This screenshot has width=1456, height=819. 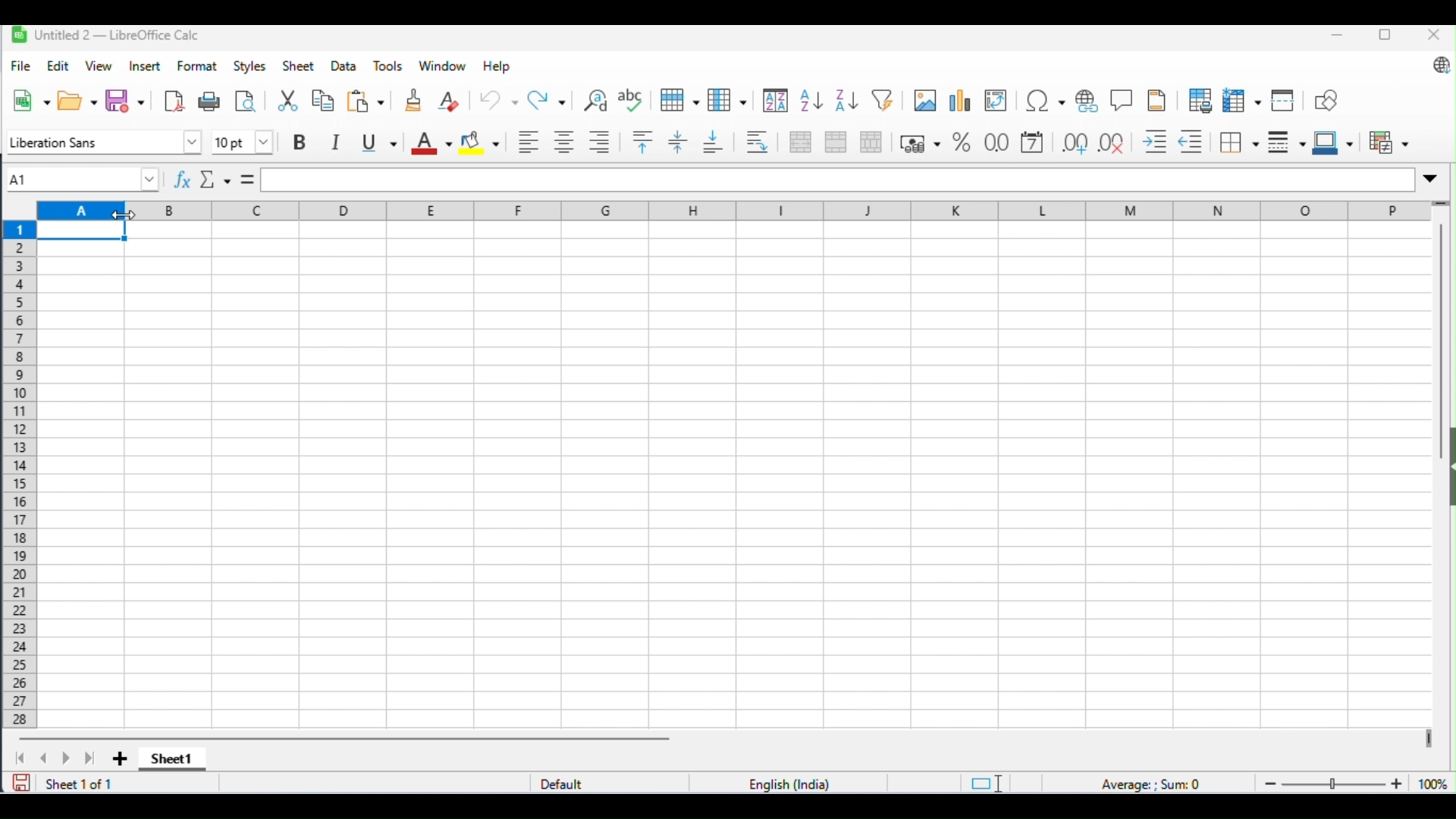 What do you see at coordinates (1444, 347) in the screenshot?
I see `vertical scroll bar` at bounding box center [1444, 347].